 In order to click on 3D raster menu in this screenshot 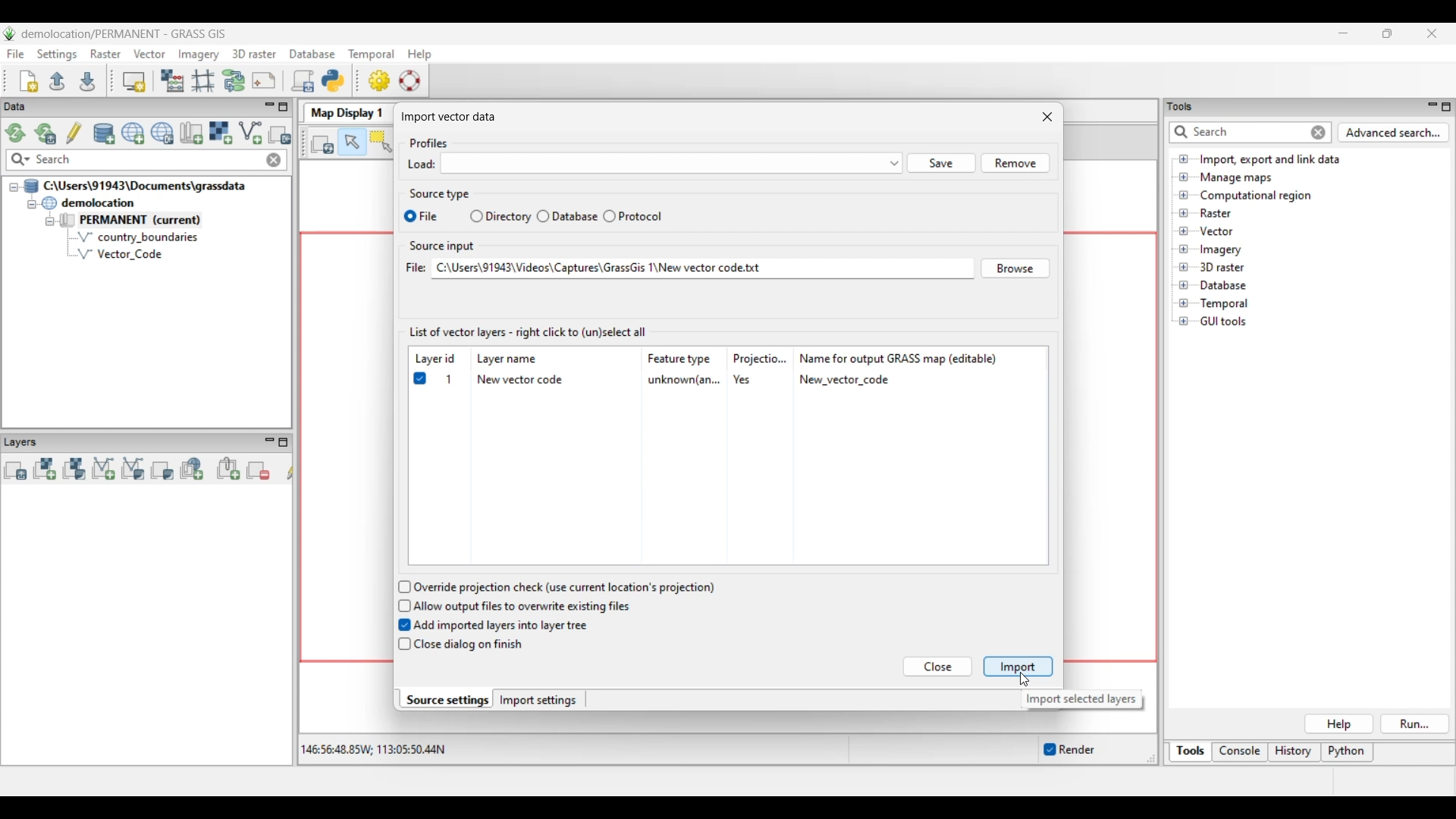, I will do `click(254, 53)`.